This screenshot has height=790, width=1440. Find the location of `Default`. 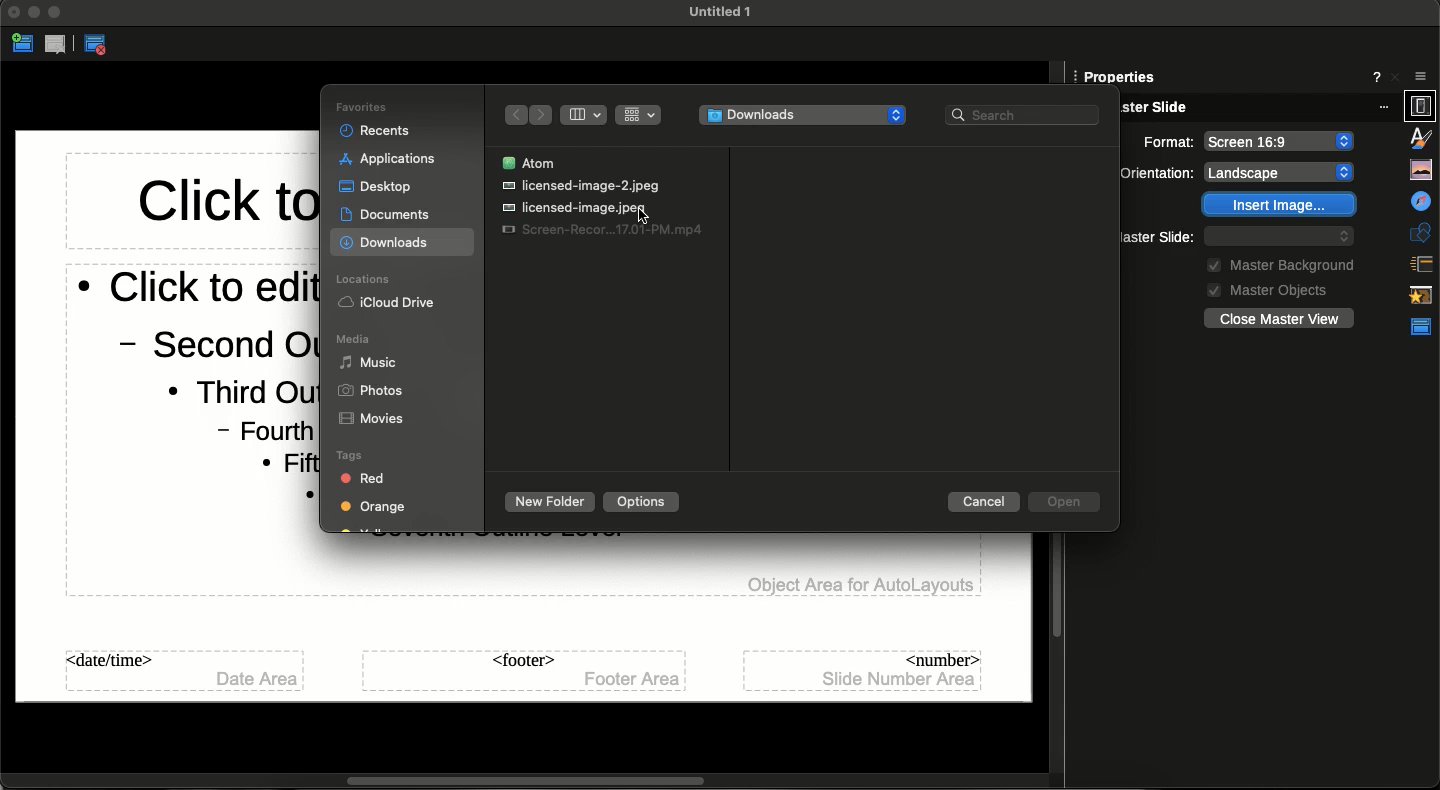

Default is located at coordinates (1280, 236).